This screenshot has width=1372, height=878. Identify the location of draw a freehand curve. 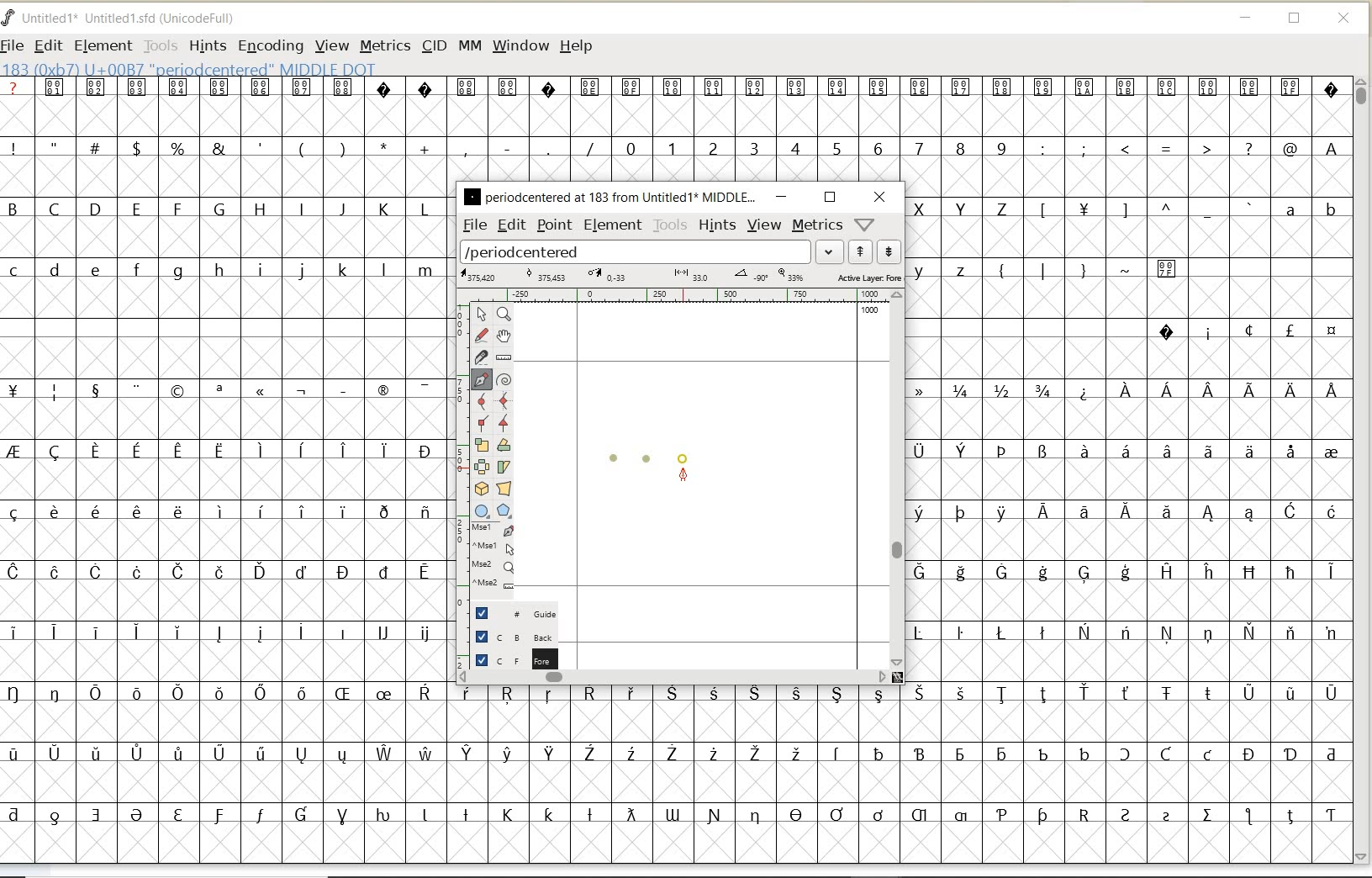
(481, 333).